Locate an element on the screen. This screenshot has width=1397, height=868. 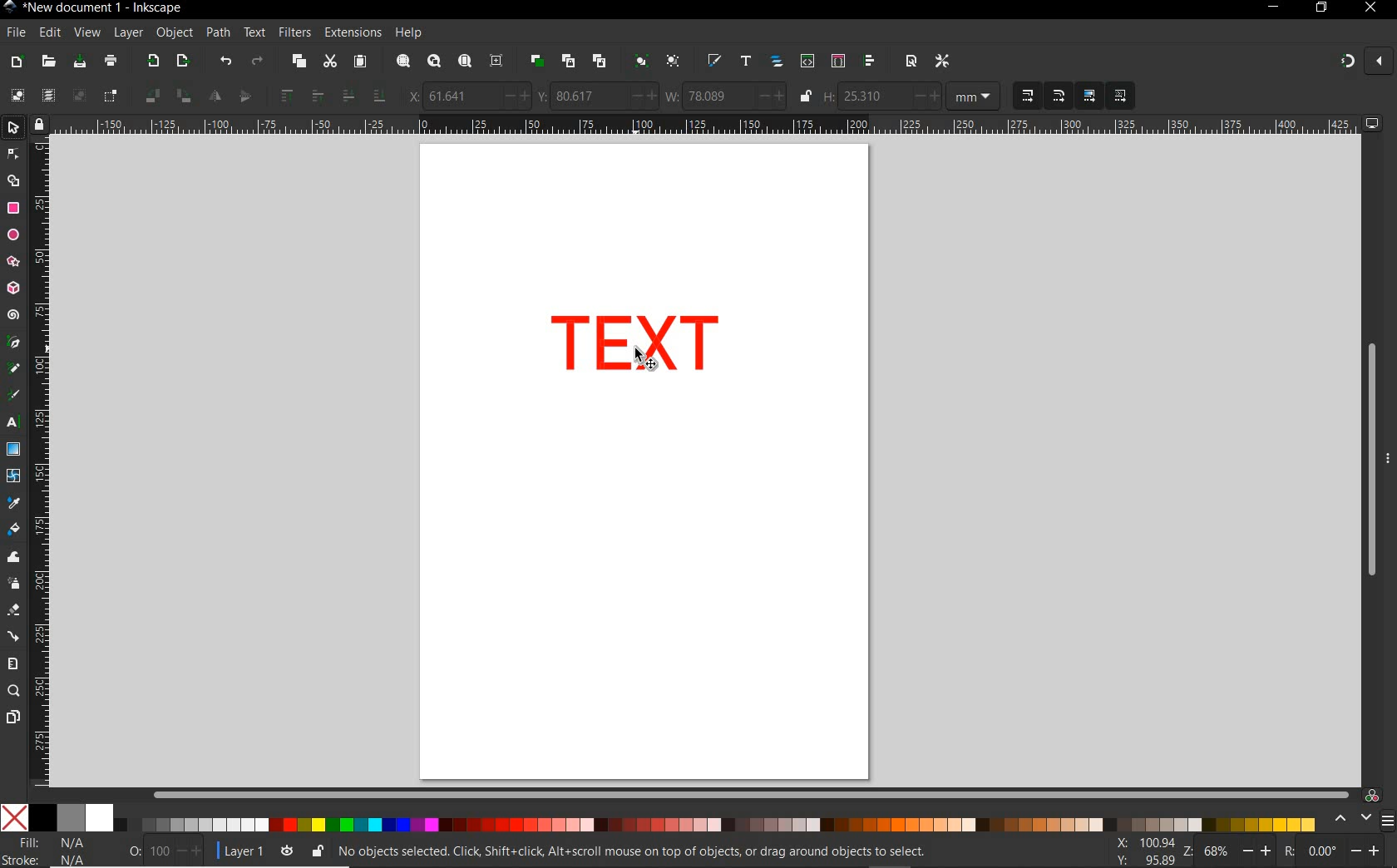
text tool is located at coordinates (15, 424).